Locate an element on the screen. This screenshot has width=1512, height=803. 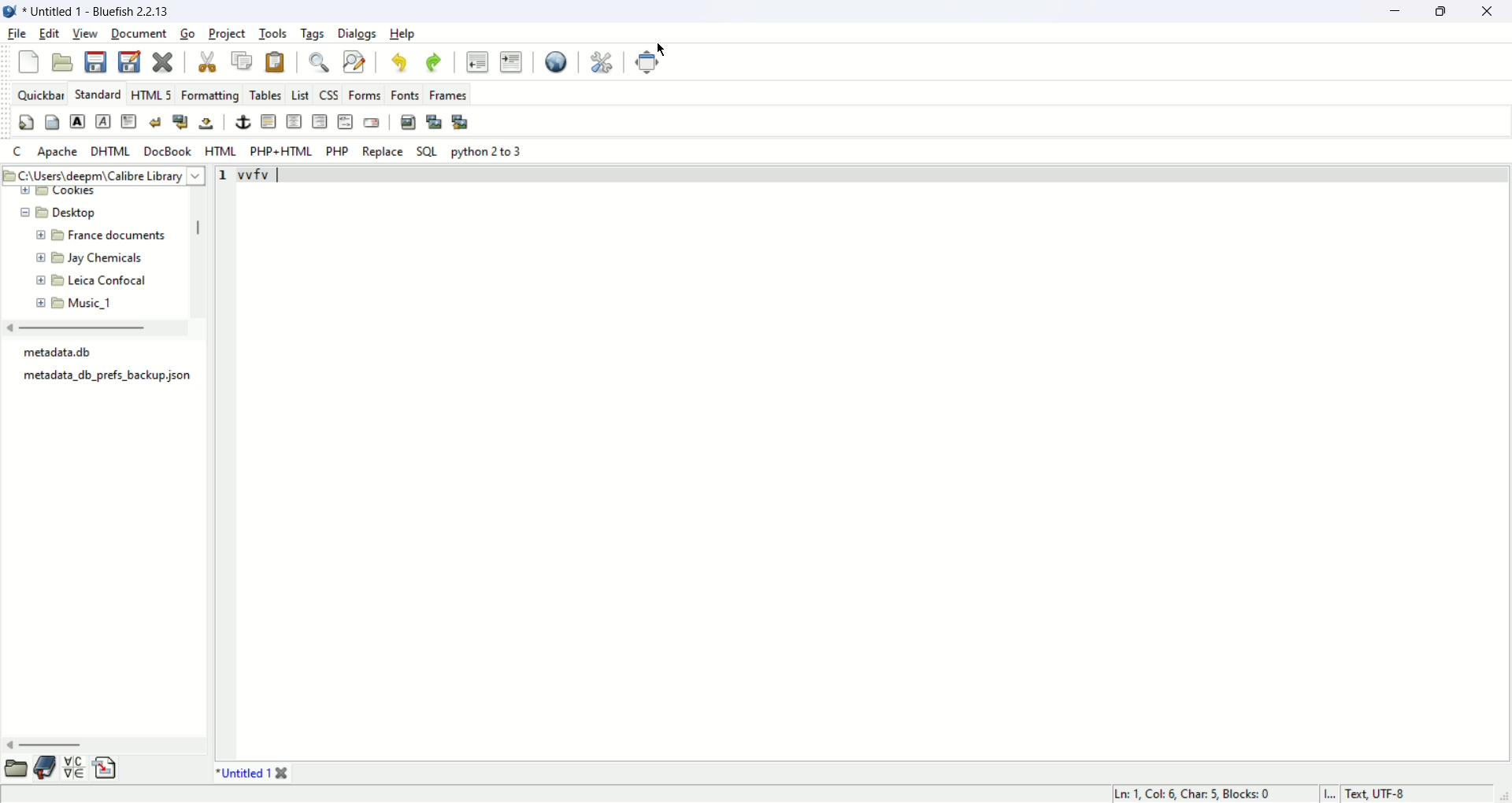
clear is located at coordinates (154, 123).